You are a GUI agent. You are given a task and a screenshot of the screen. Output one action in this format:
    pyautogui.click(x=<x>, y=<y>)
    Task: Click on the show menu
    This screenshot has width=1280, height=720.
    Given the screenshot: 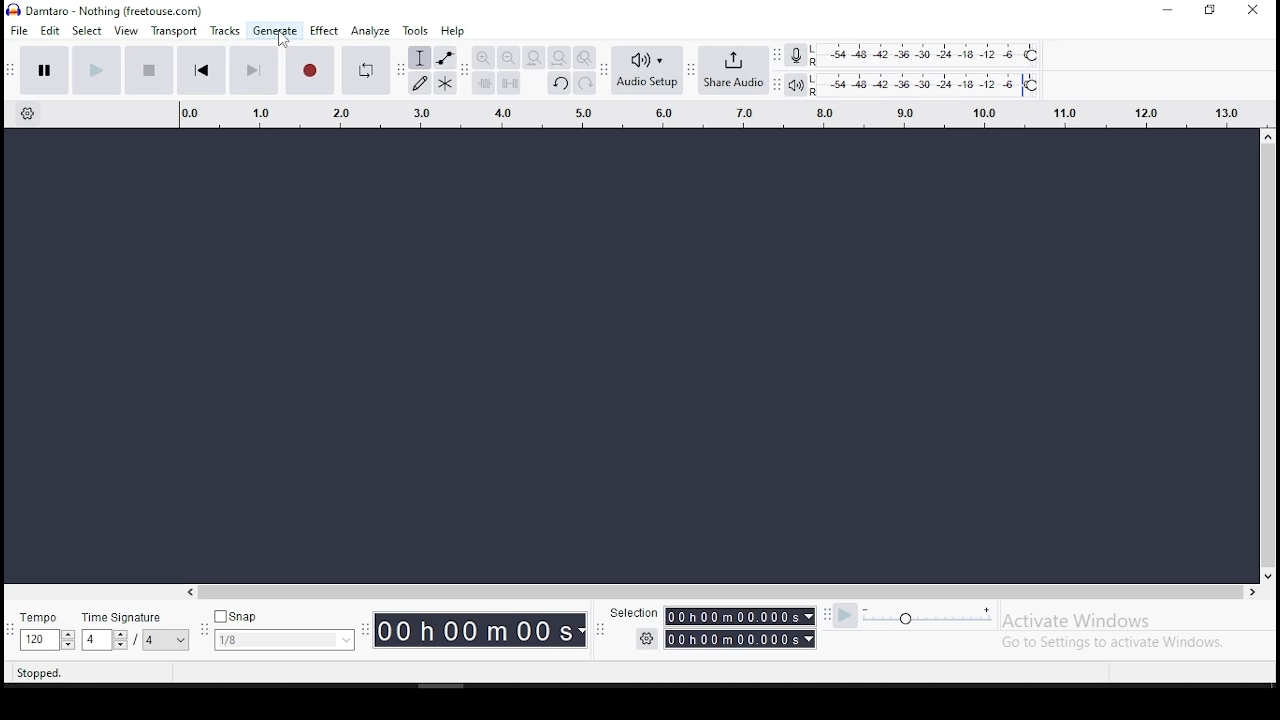 What is the action you would take?
    pyautogui.click(x=600, y=635)
    